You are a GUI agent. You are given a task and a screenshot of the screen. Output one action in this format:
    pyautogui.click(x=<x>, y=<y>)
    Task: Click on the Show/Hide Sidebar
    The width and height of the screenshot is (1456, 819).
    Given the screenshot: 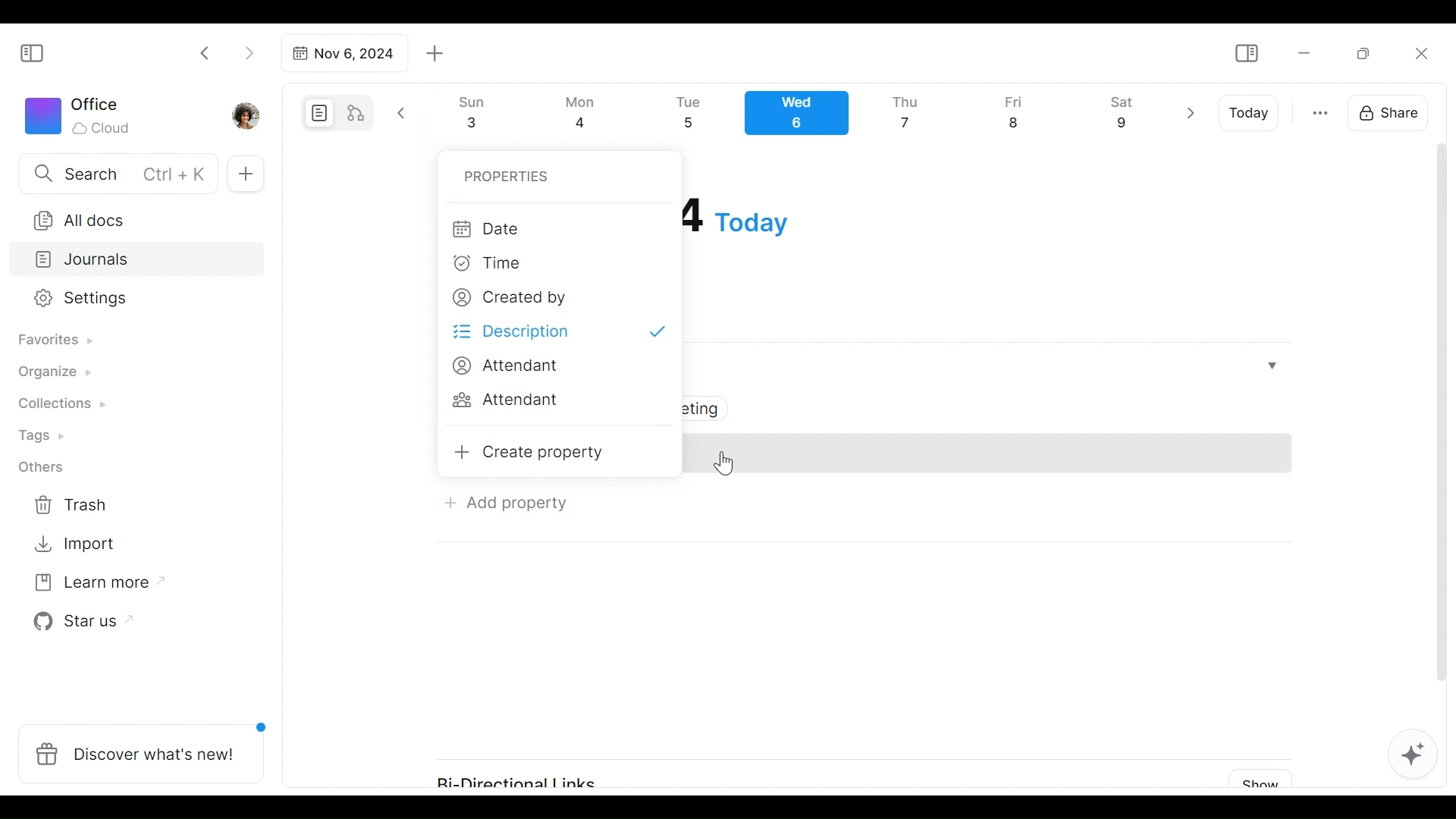 What is the action you would take?
    pyautogui.click(x=1246, y=54)
    